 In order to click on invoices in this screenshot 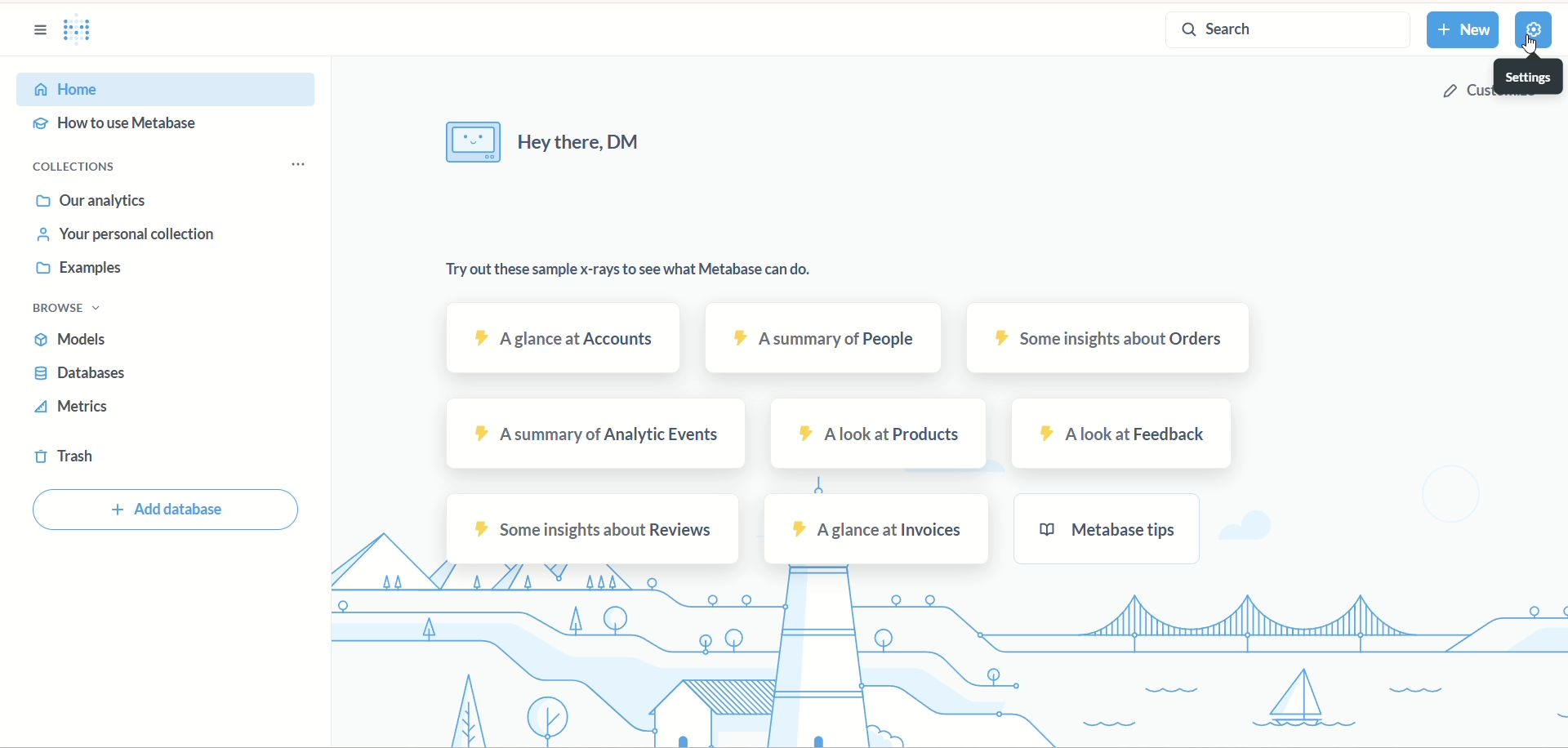, I will do `click(880, 529)`.